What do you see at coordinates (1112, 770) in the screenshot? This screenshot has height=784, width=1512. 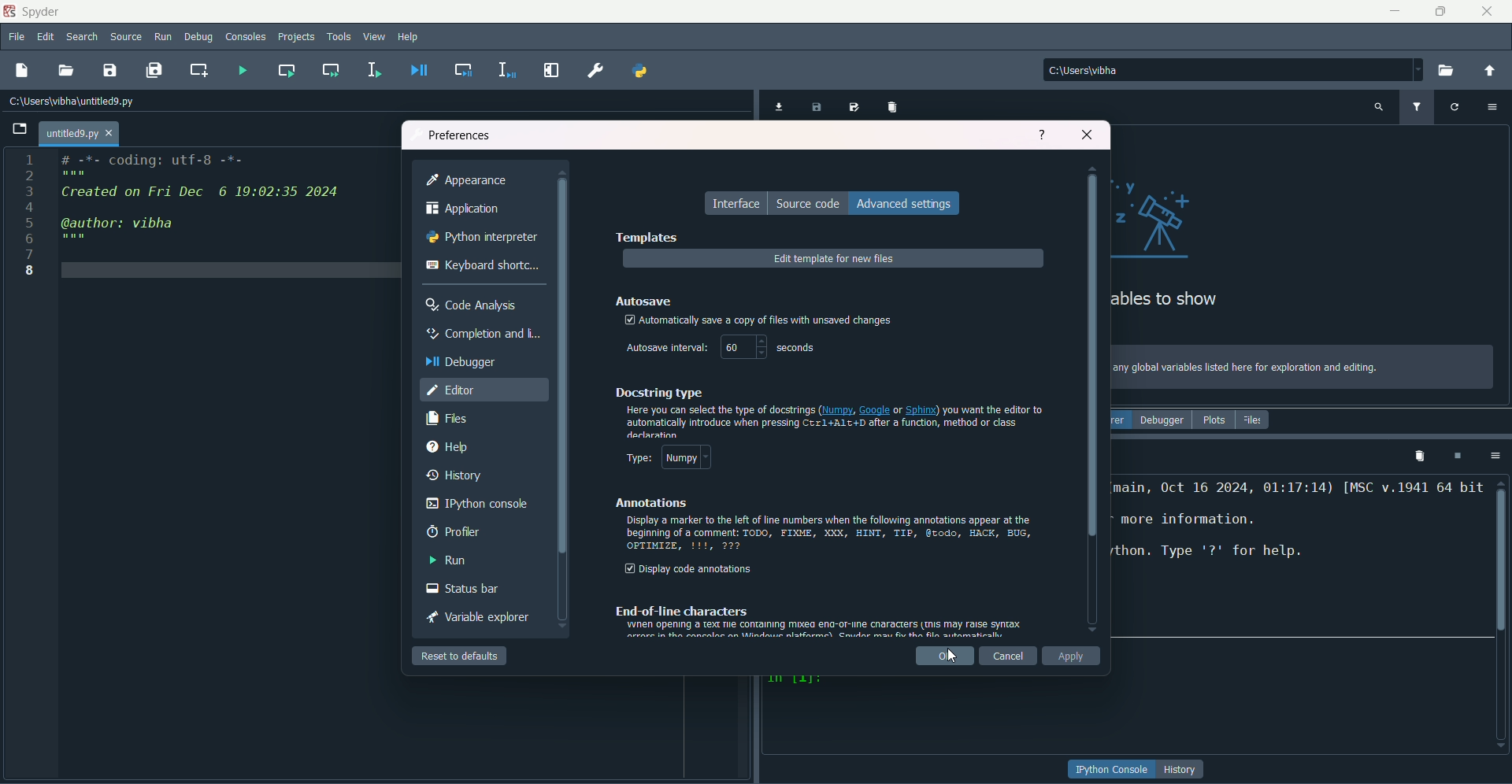 I see `button` at bounding box center [1112, 770].